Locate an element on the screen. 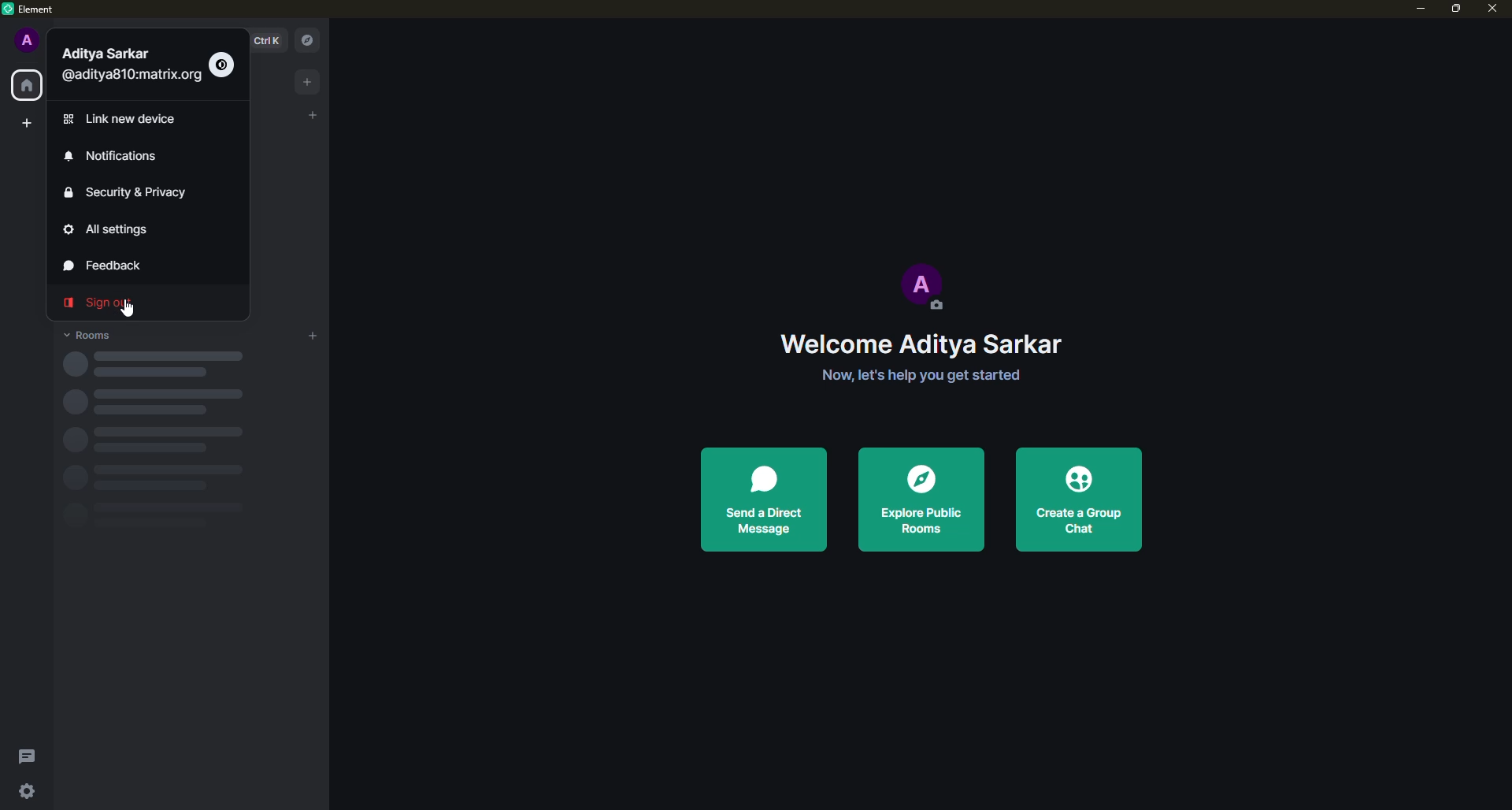 This screenshot has width=1512, height=810. rooms is located at coordinates (91, 334).